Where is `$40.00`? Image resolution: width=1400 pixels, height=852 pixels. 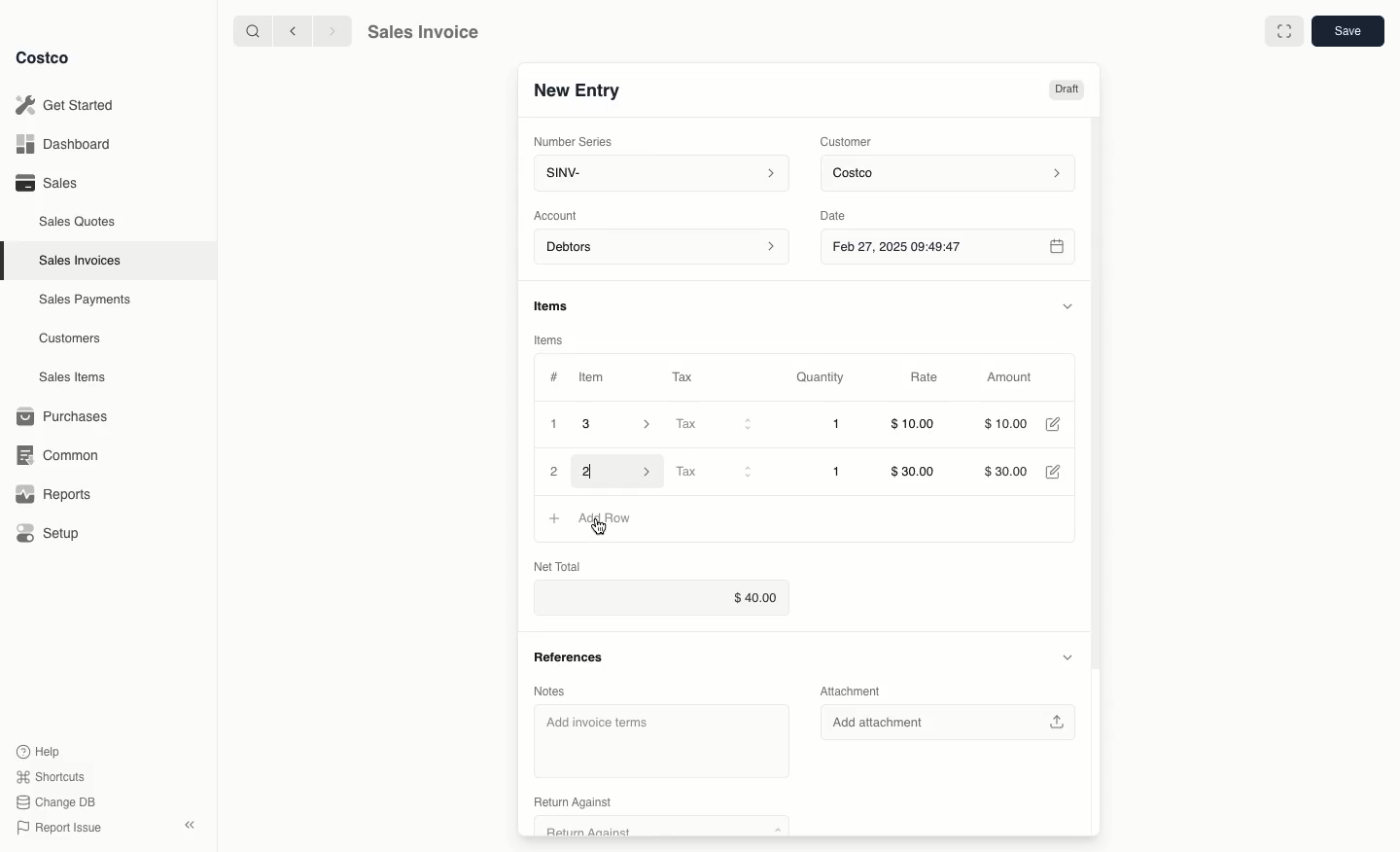 $40.00 is located at coordinates (761, 595).